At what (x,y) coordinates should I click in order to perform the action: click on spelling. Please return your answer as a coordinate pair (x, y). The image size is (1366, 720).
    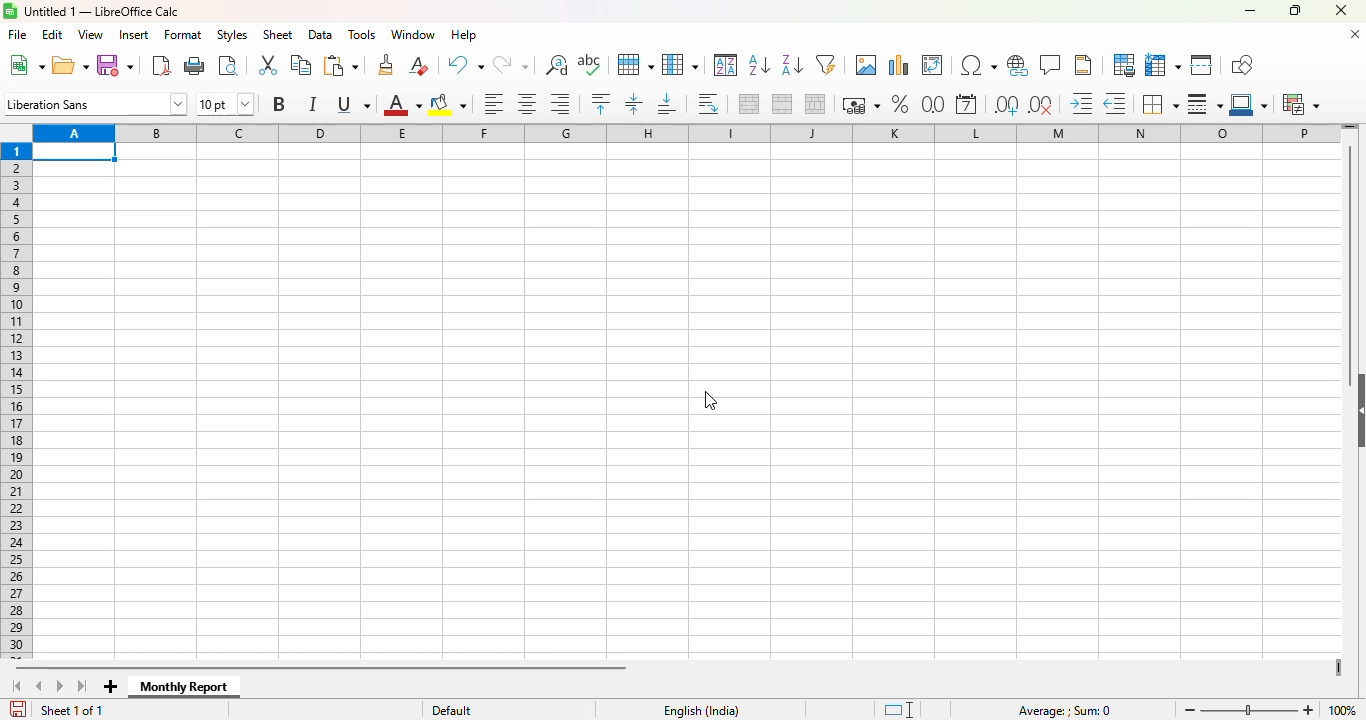
    Looking at the image, I should click on (589, 64).